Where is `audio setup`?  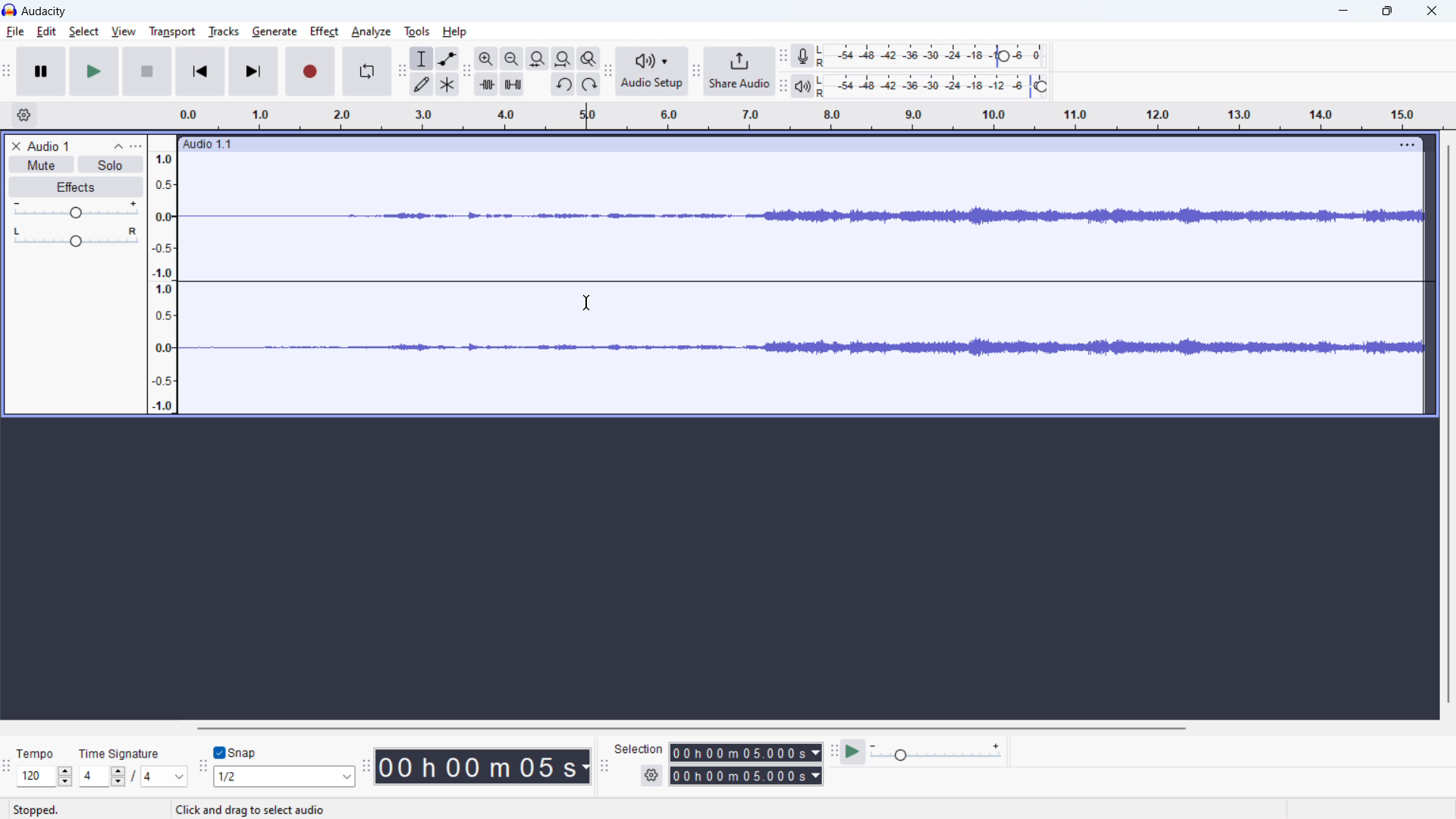 audio setup is located at coordinates (652, 71).